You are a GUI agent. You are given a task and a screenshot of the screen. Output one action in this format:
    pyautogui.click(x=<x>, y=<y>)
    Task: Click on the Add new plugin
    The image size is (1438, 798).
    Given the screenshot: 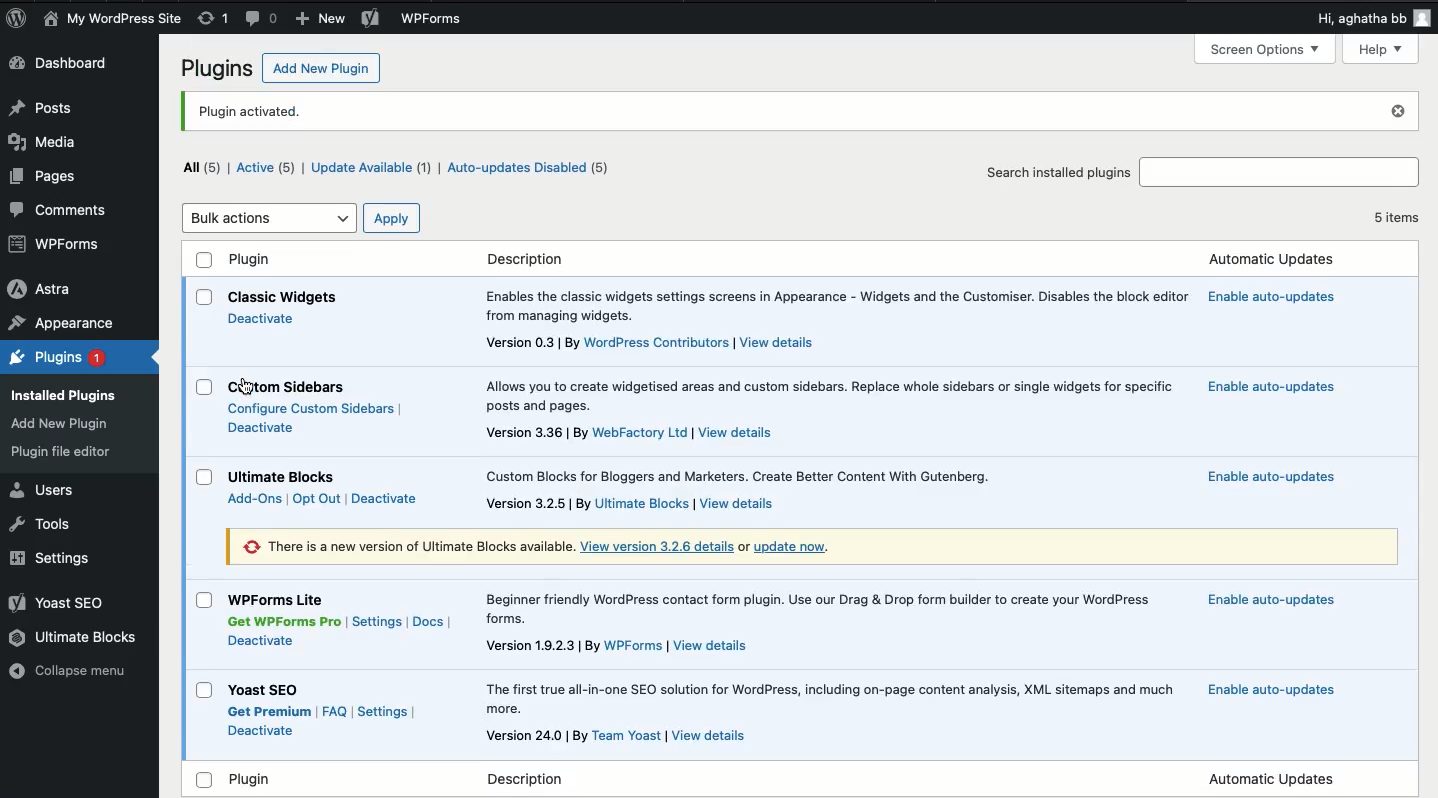 What is the action you would take?
    pyautogui.click(x=316, y=70)
    